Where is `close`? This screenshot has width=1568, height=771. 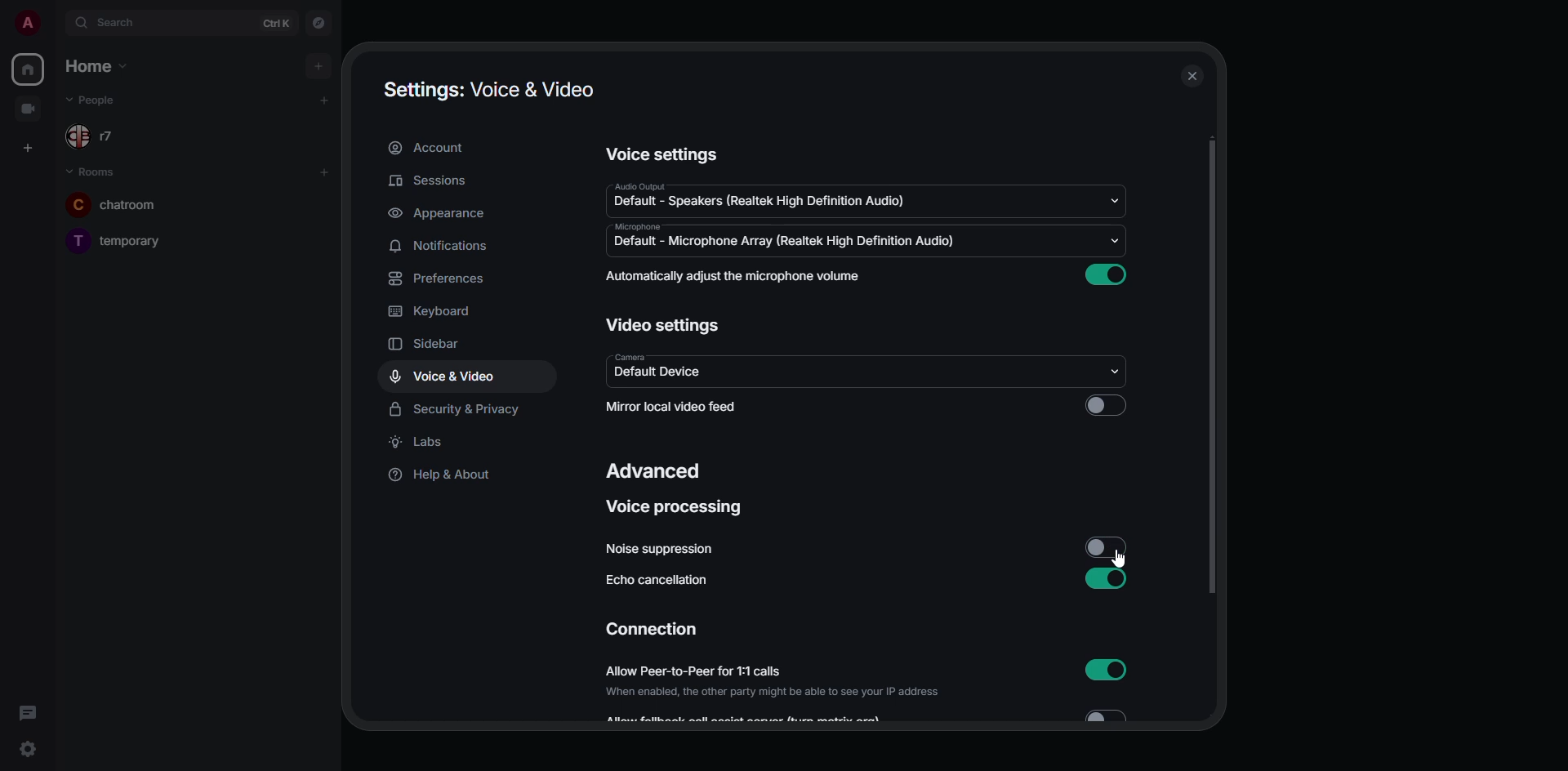
close is located at coordinates (1194, 77).